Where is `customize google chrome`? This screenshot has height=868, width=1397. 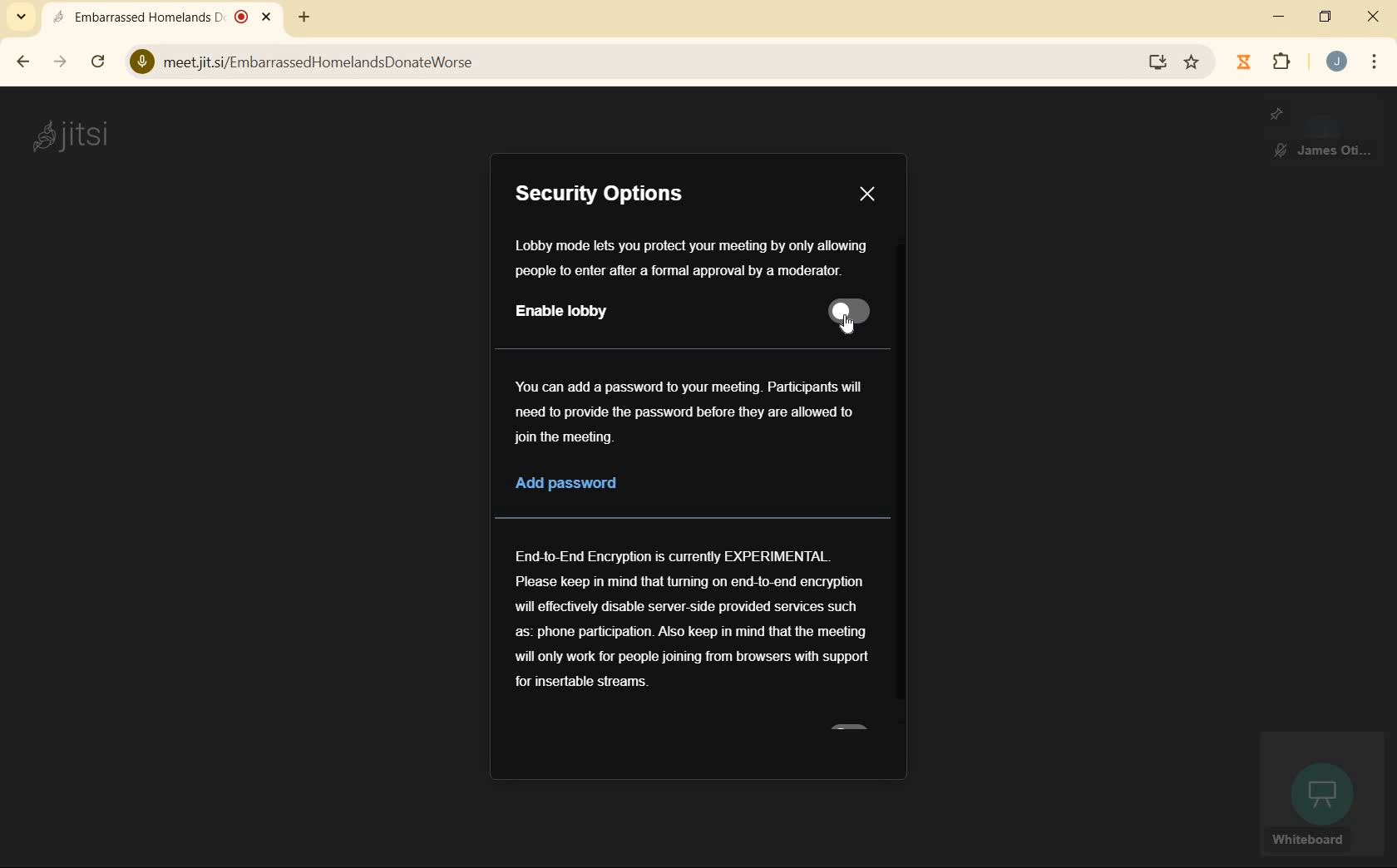
customize google chrome is located at coordinates (1374, 62).